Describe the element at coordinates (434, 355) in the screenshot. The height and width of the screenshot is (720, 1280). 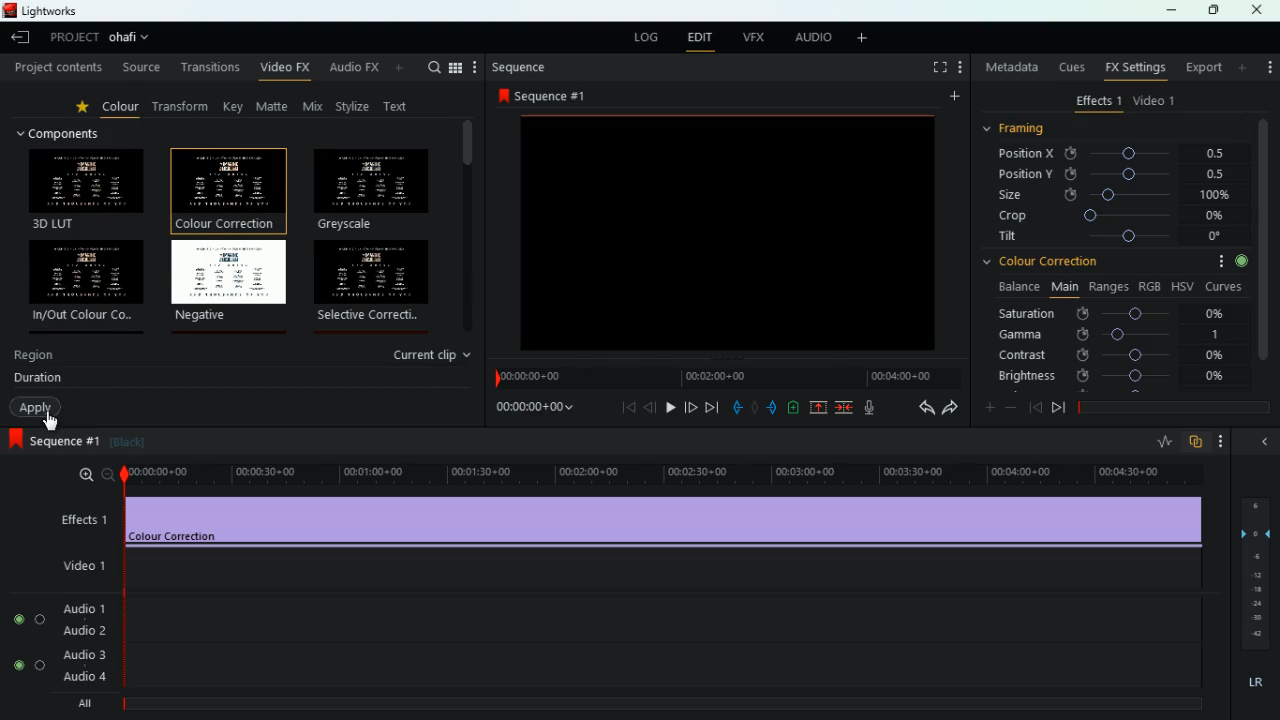
I see `current clip` at that location.